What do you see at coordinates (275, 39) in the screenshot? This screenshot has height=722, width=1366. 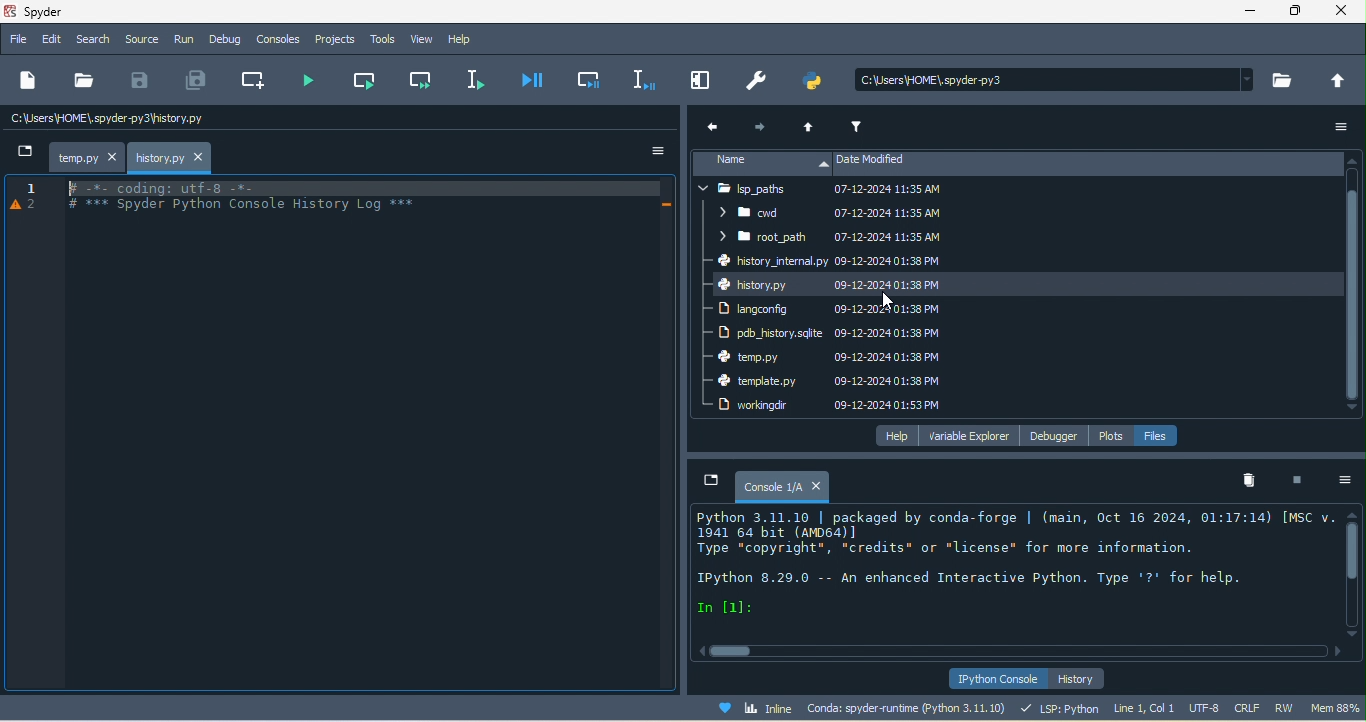 I see `console` at bounding box center [275, 39].